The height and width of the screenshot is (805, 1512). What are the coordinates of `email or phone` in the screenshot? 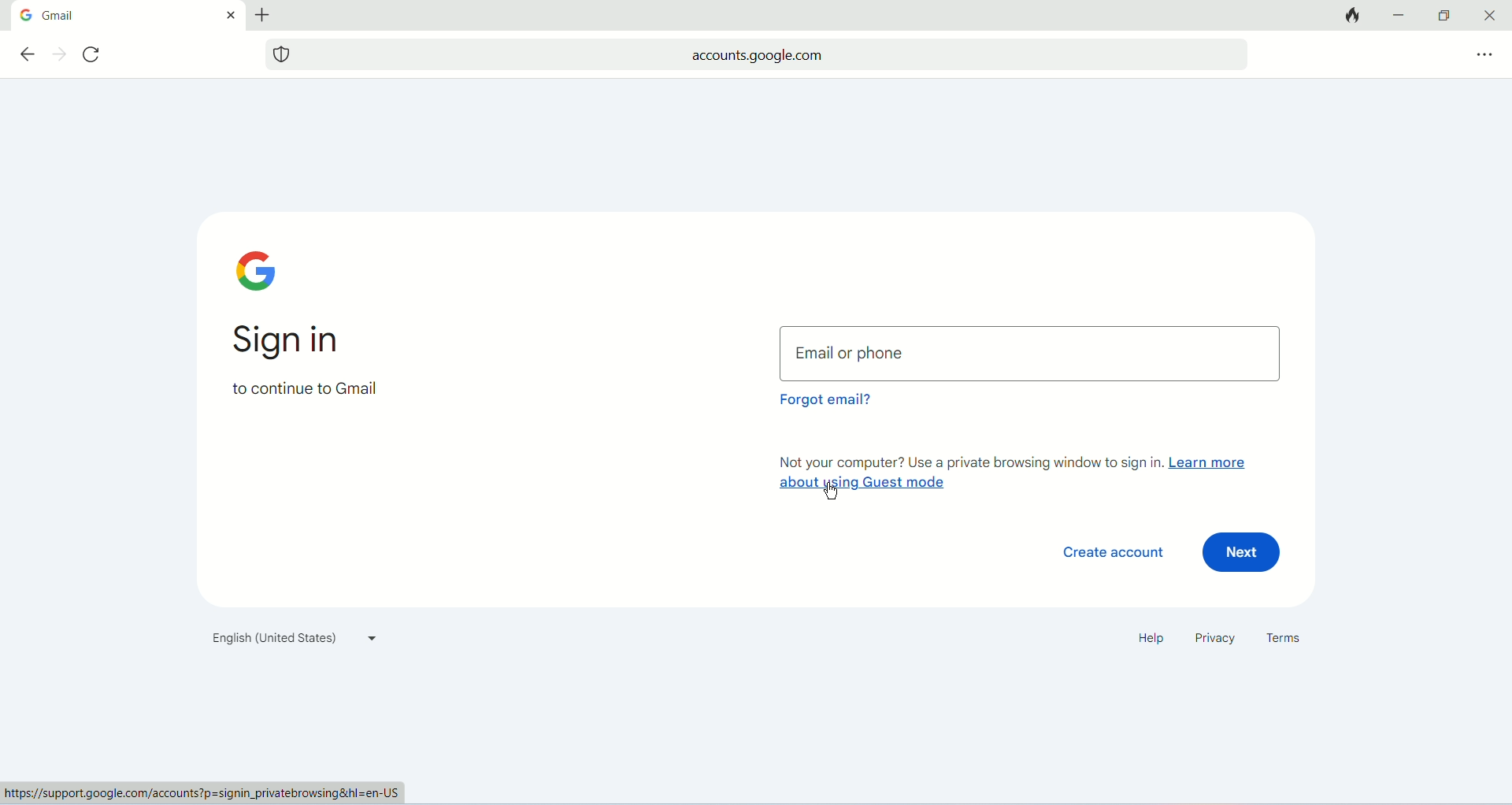 It's located at (1032, 352).